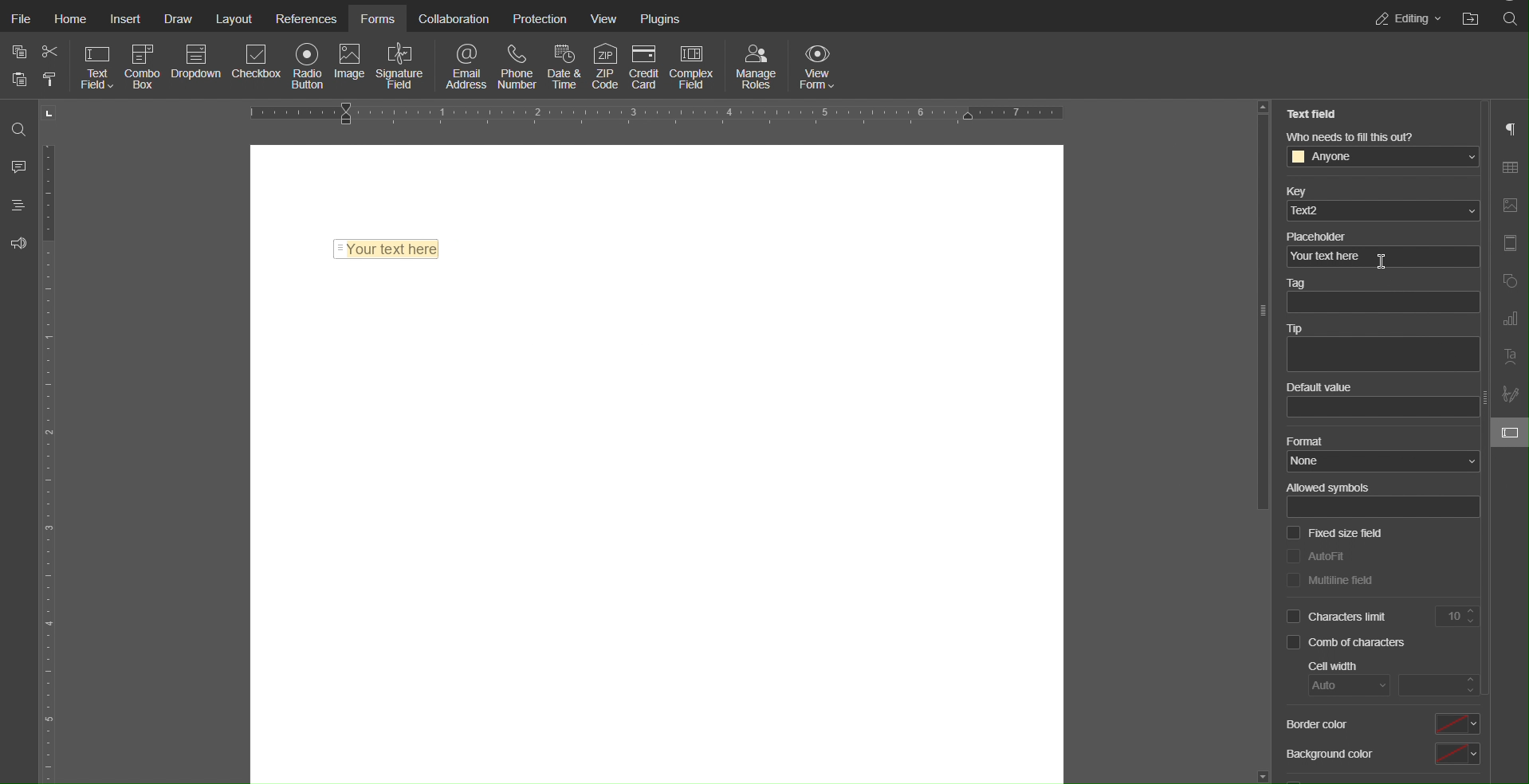 The width and height of the screenshot is (1529, 784). What do you see at coordinates (1389, 678) in the screenshot?
I see `Cell width` at bounding box center [1389, 678].